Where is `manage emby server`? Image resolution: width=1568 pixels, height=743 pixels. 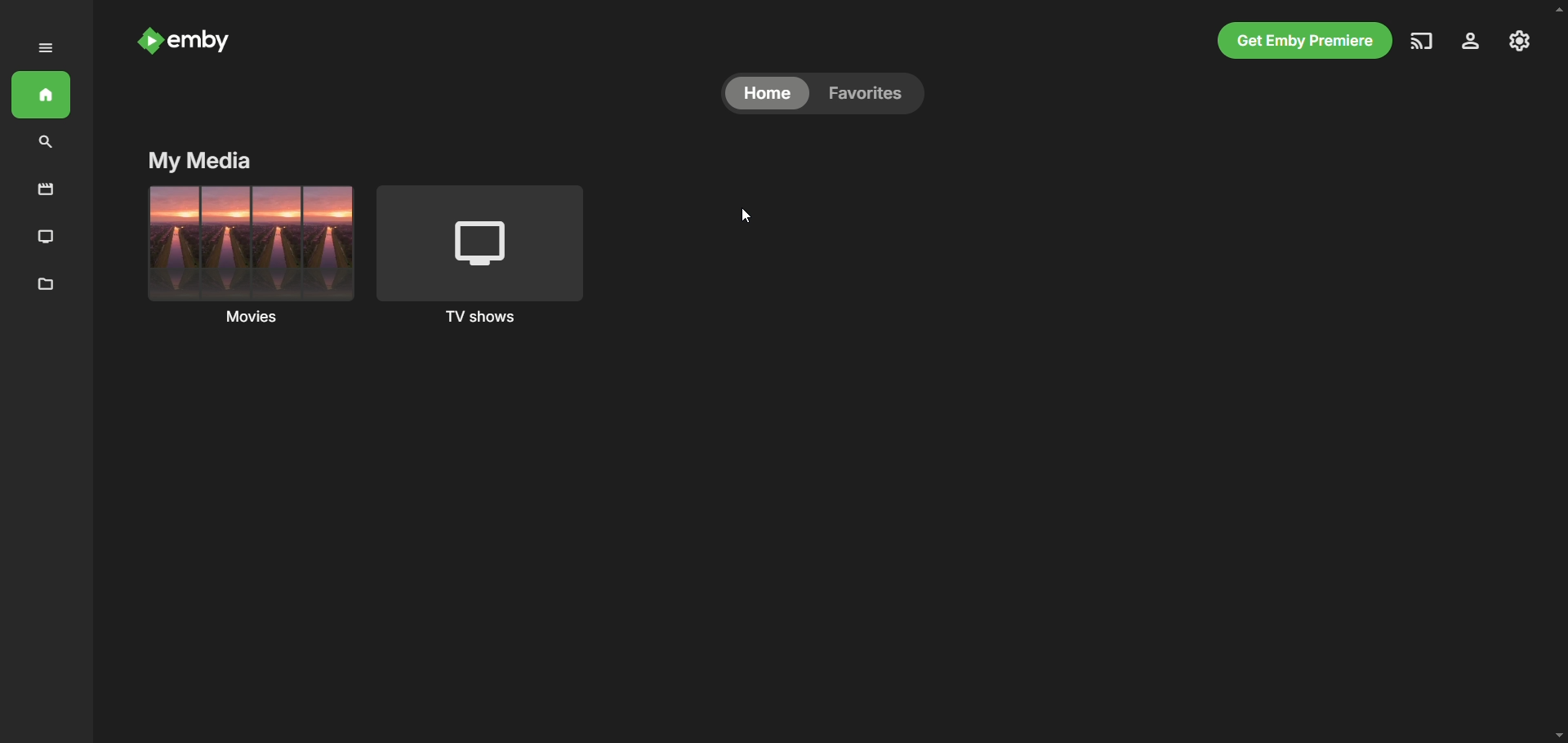
manage emby server is located at coordinates (1469, 42).